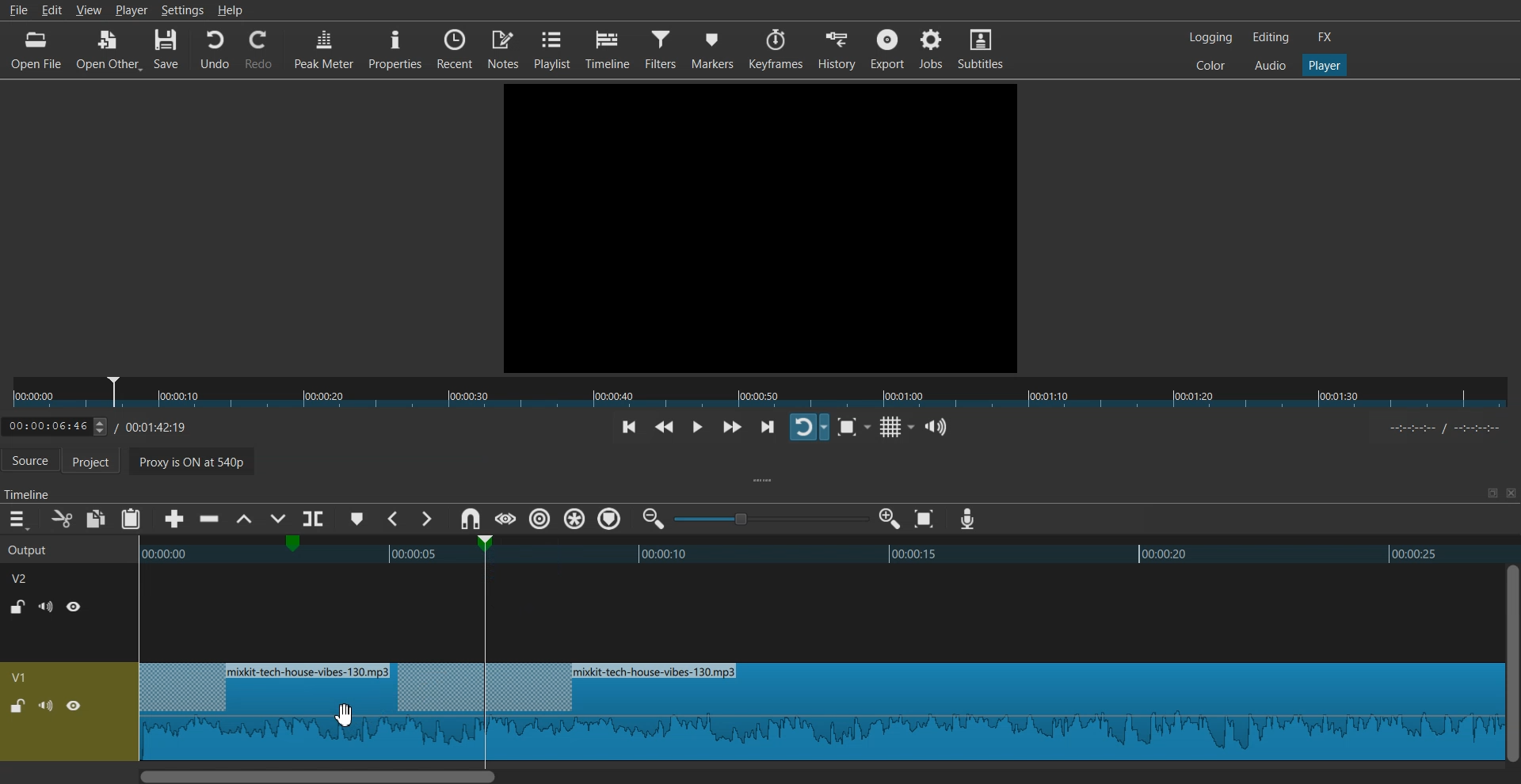 The height and width of the screenshot is (784, 1521). I want to click on Lift, so click(243, 519).